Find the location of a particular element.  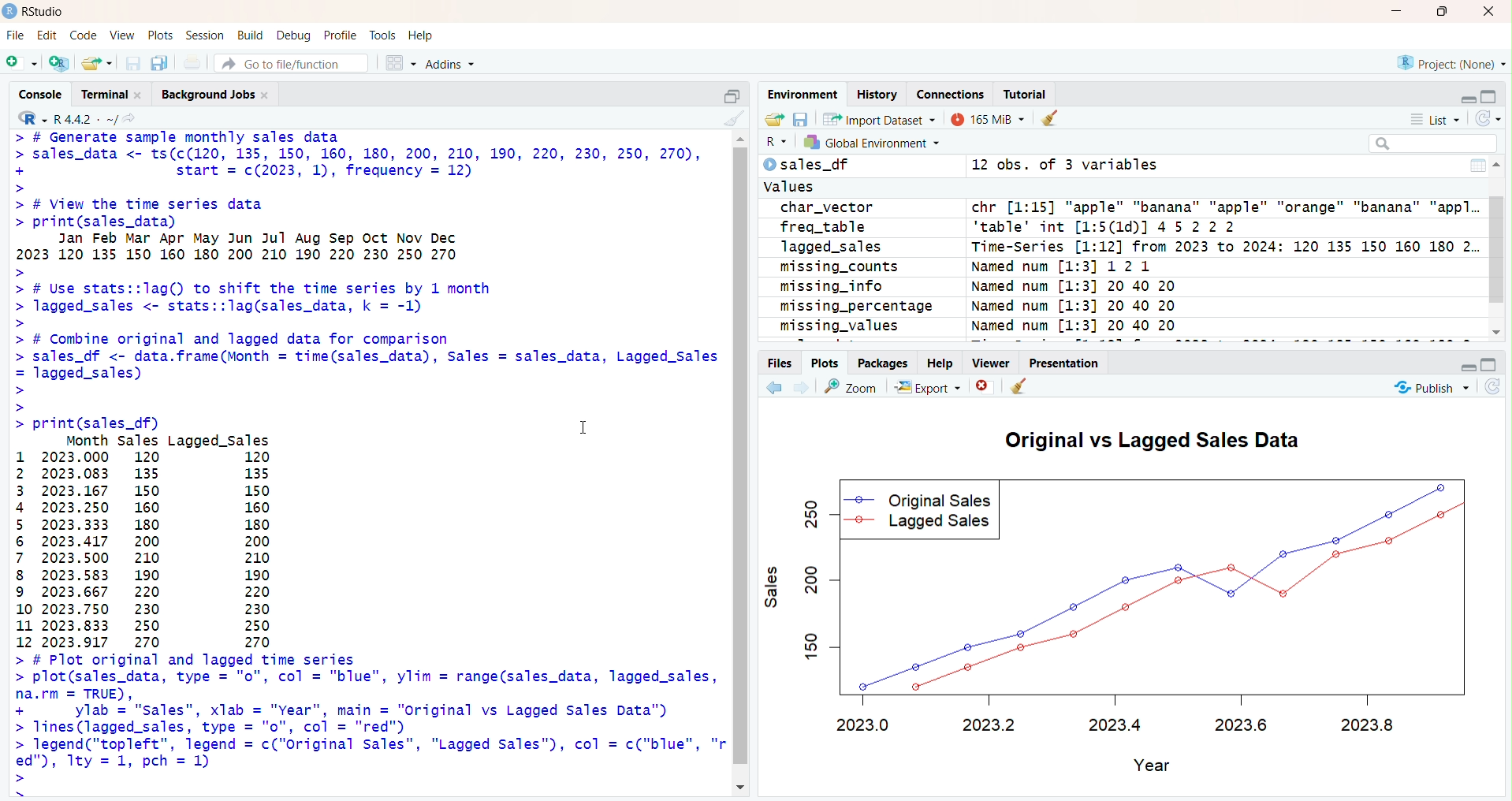

print the current file is located at coordinates (192, 63).